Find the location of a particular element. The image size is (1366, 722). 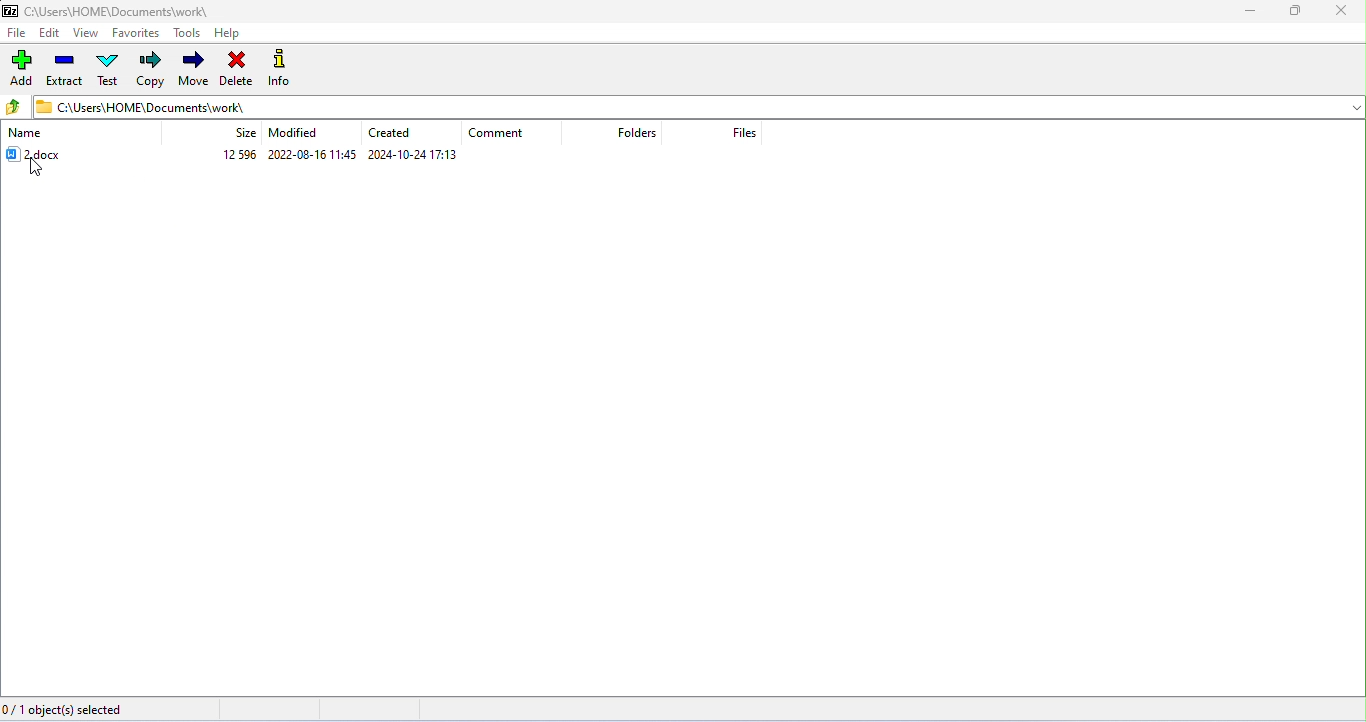

modified is located at coordinates (293, 133).